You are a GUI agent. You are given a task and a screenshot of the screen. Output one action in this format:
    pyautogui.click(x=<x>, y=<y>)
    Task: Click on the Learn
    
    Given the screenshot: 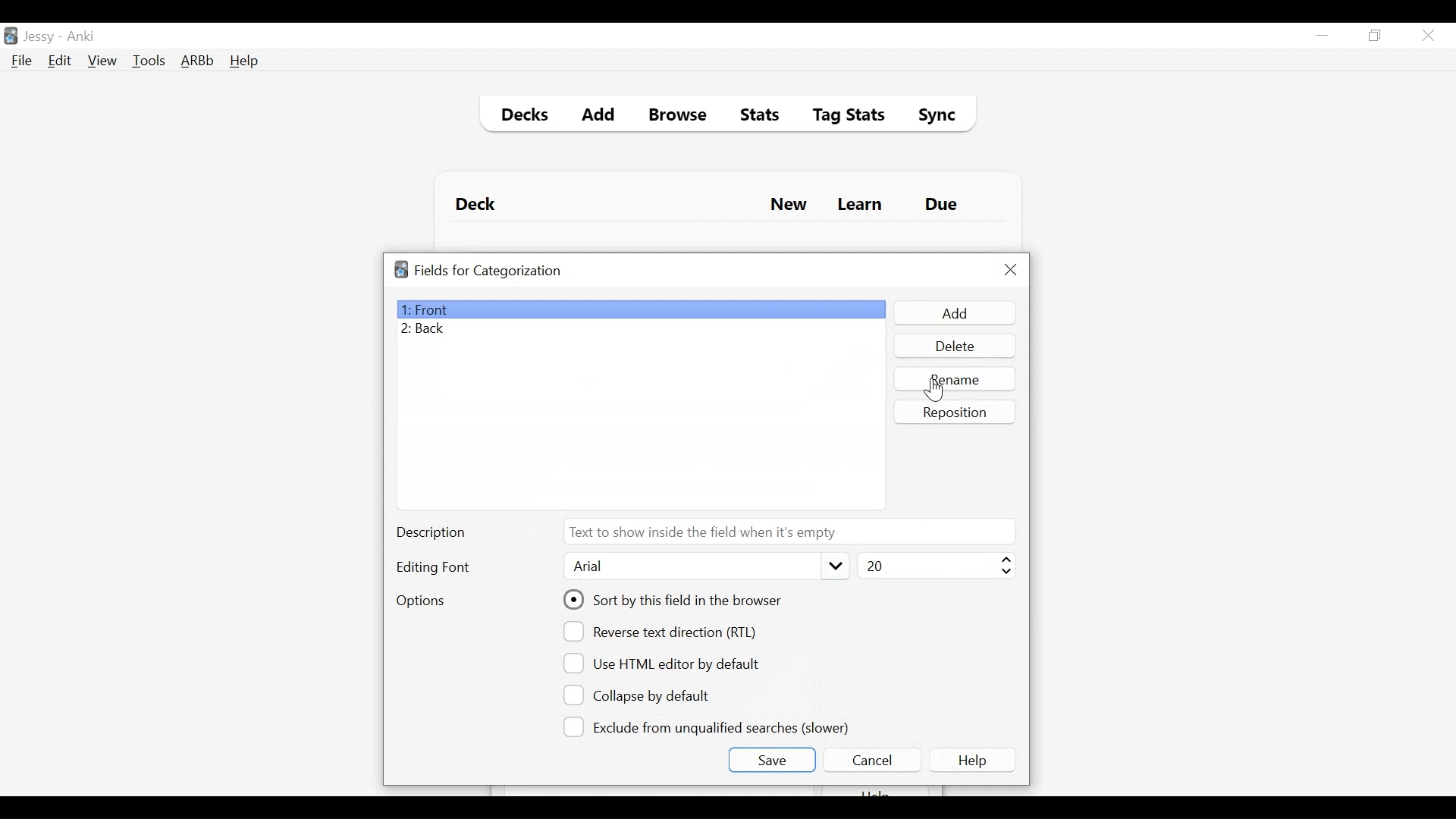 What is the action you would take?
    pyautogui.click(x=859, y=206)
    